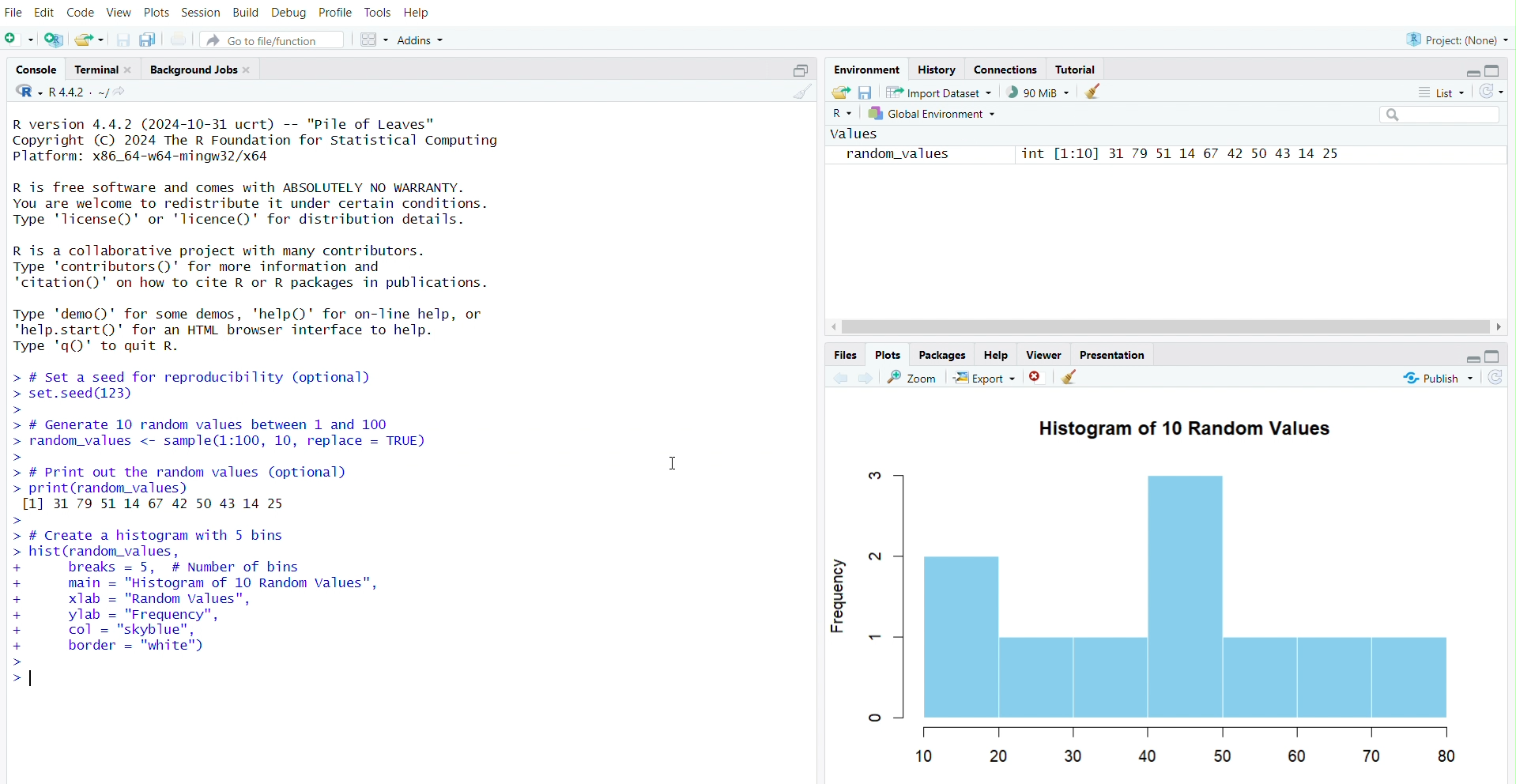 The width and height of the screenshot is (1516, 784). I want to click on edit, so click(45, 10).